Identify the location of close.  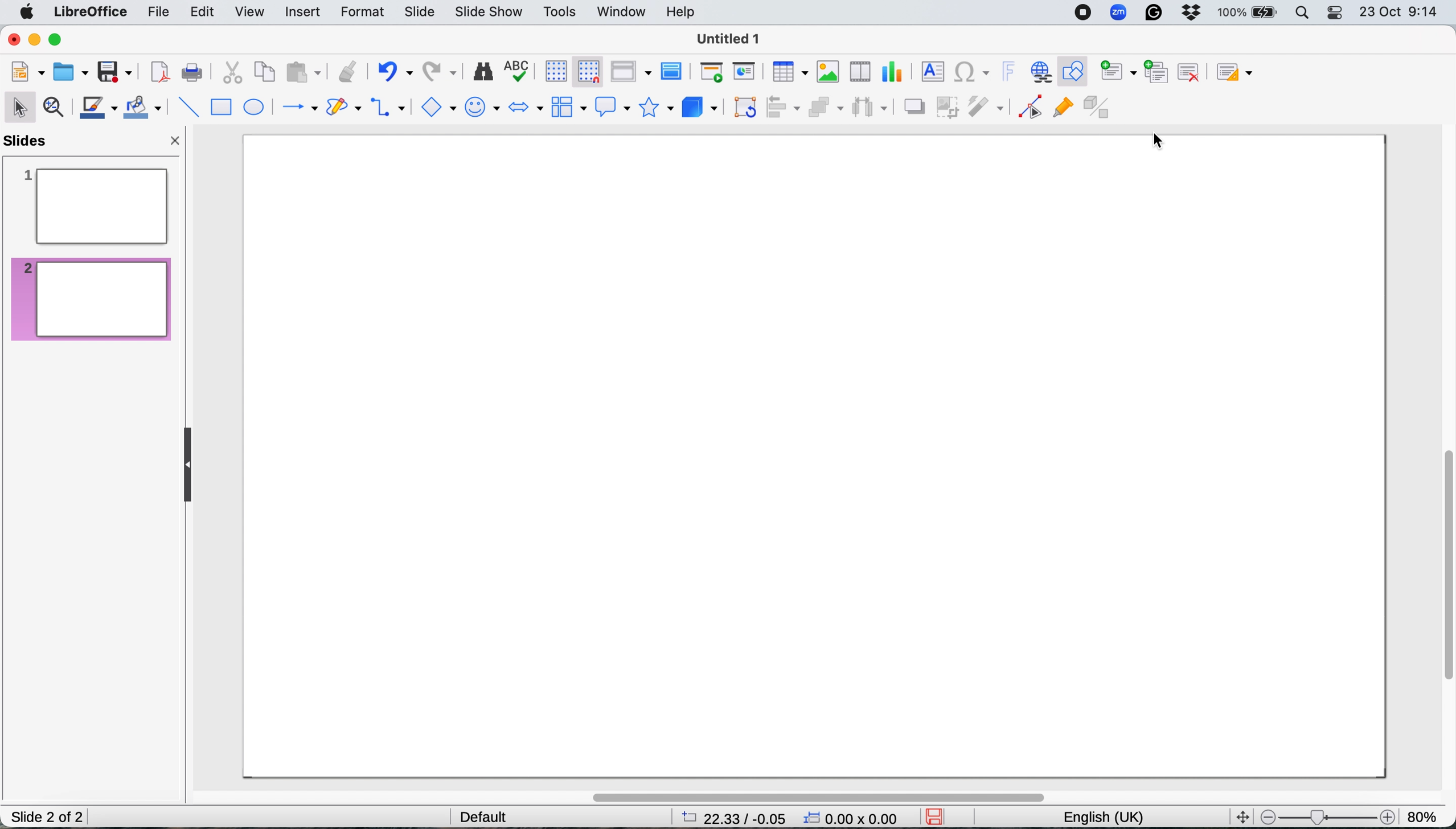
(178, 140).